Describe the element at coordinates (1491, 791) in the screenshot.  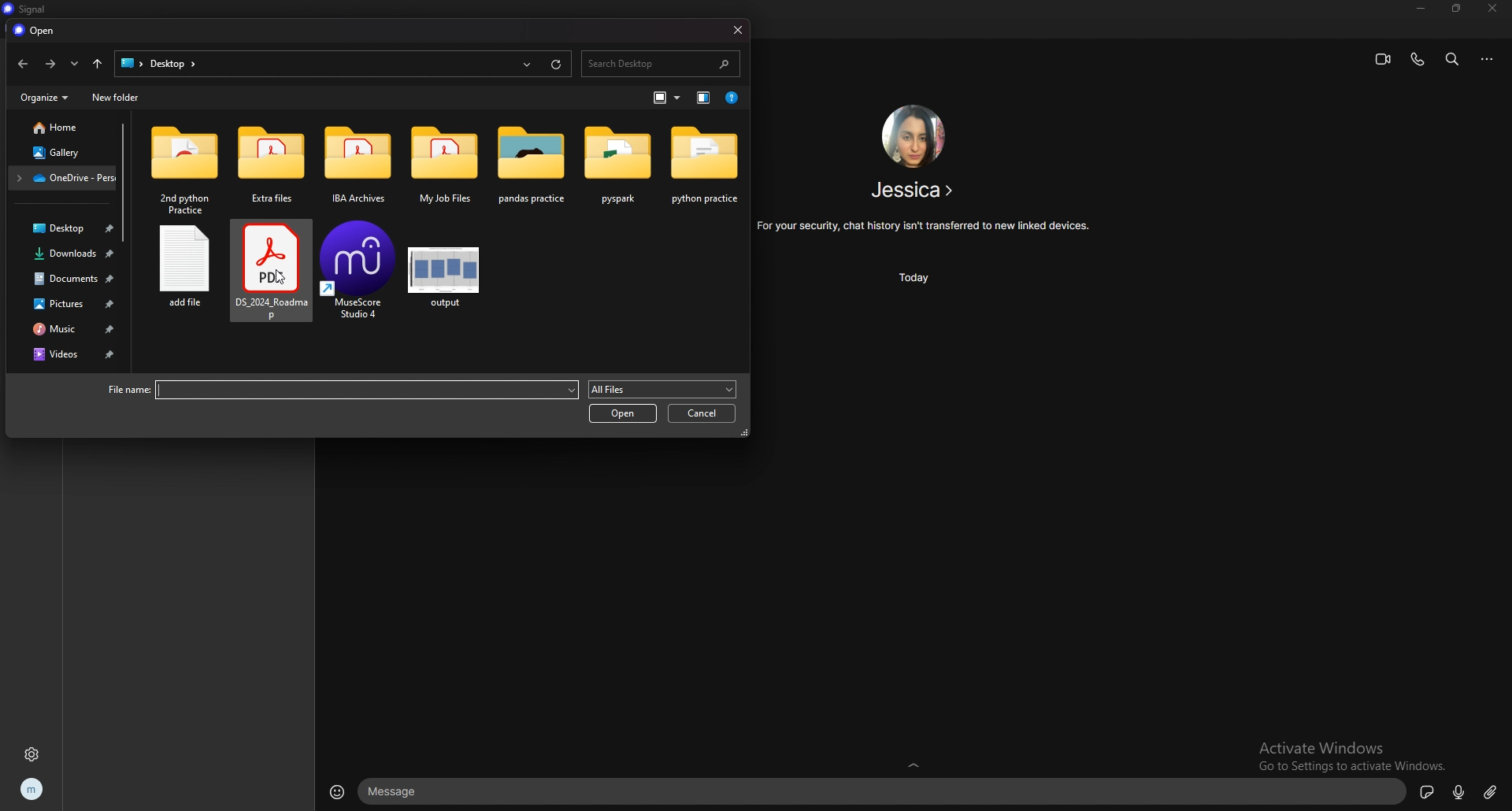
I see `attachment` at that location.